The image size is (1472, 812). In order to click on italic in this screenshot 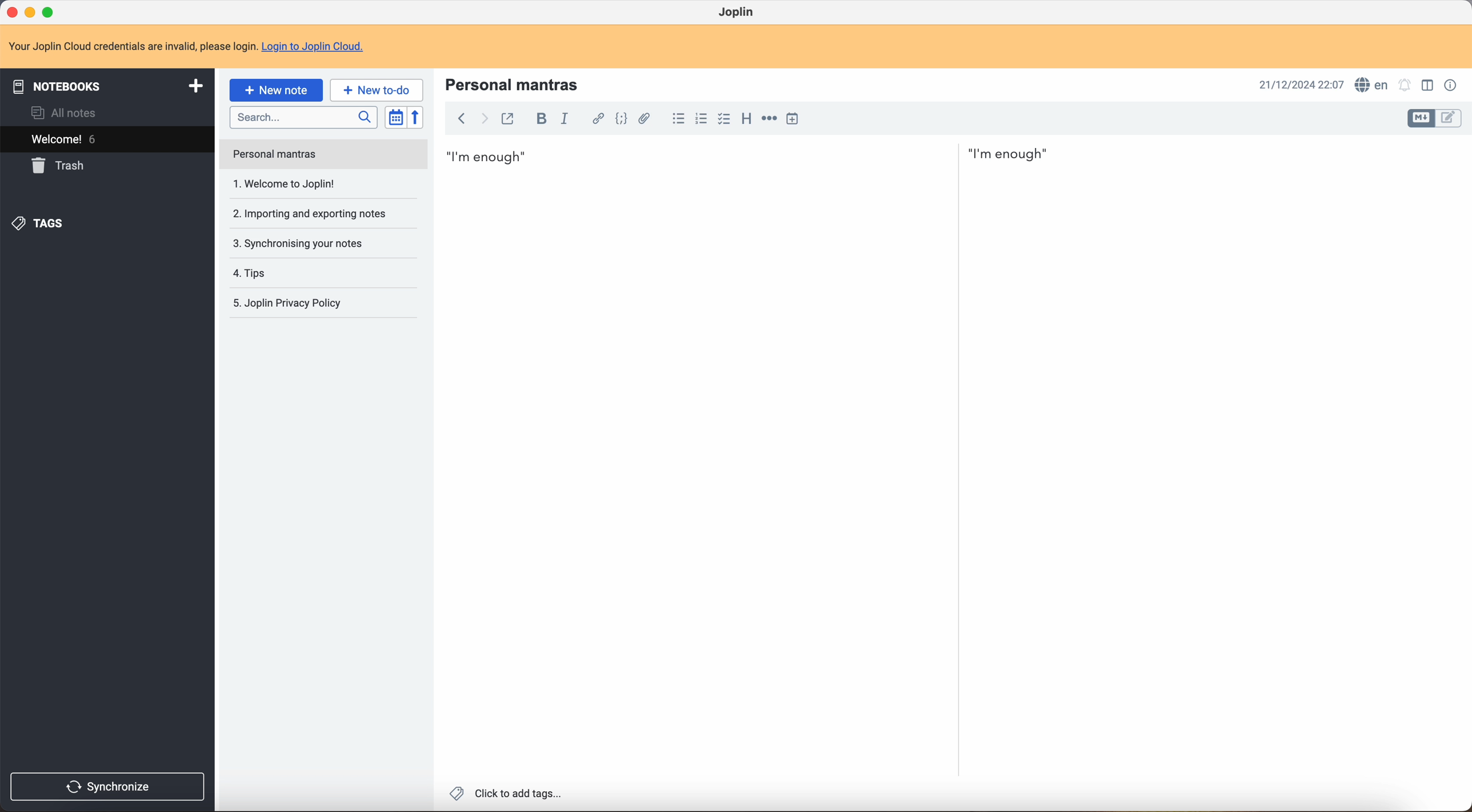, I will do `click(567, 120)`.